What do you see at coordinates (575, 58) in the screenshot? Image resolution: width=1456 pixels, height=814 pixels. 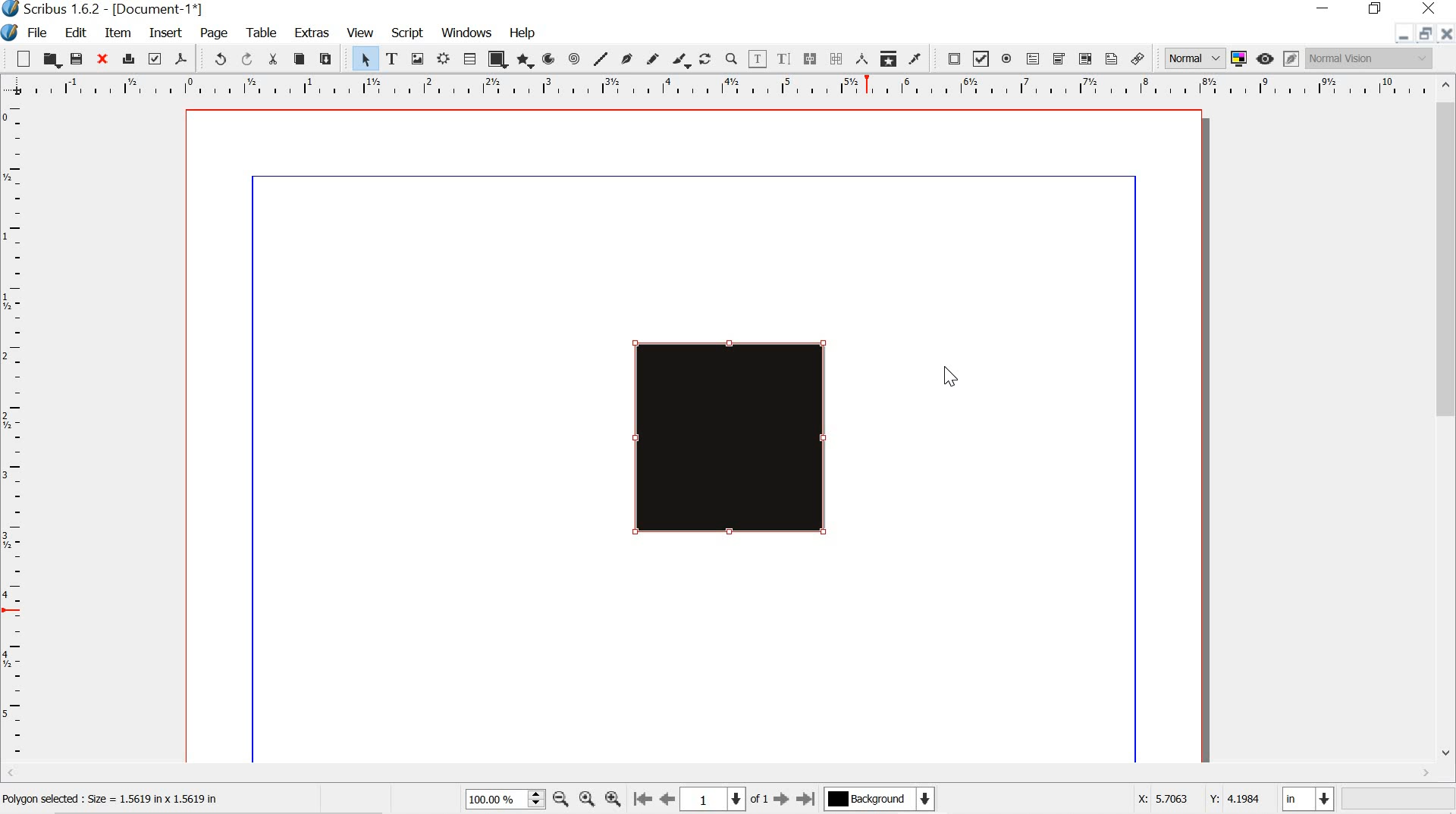 I see `spiral` at bounding box center [575, 58].